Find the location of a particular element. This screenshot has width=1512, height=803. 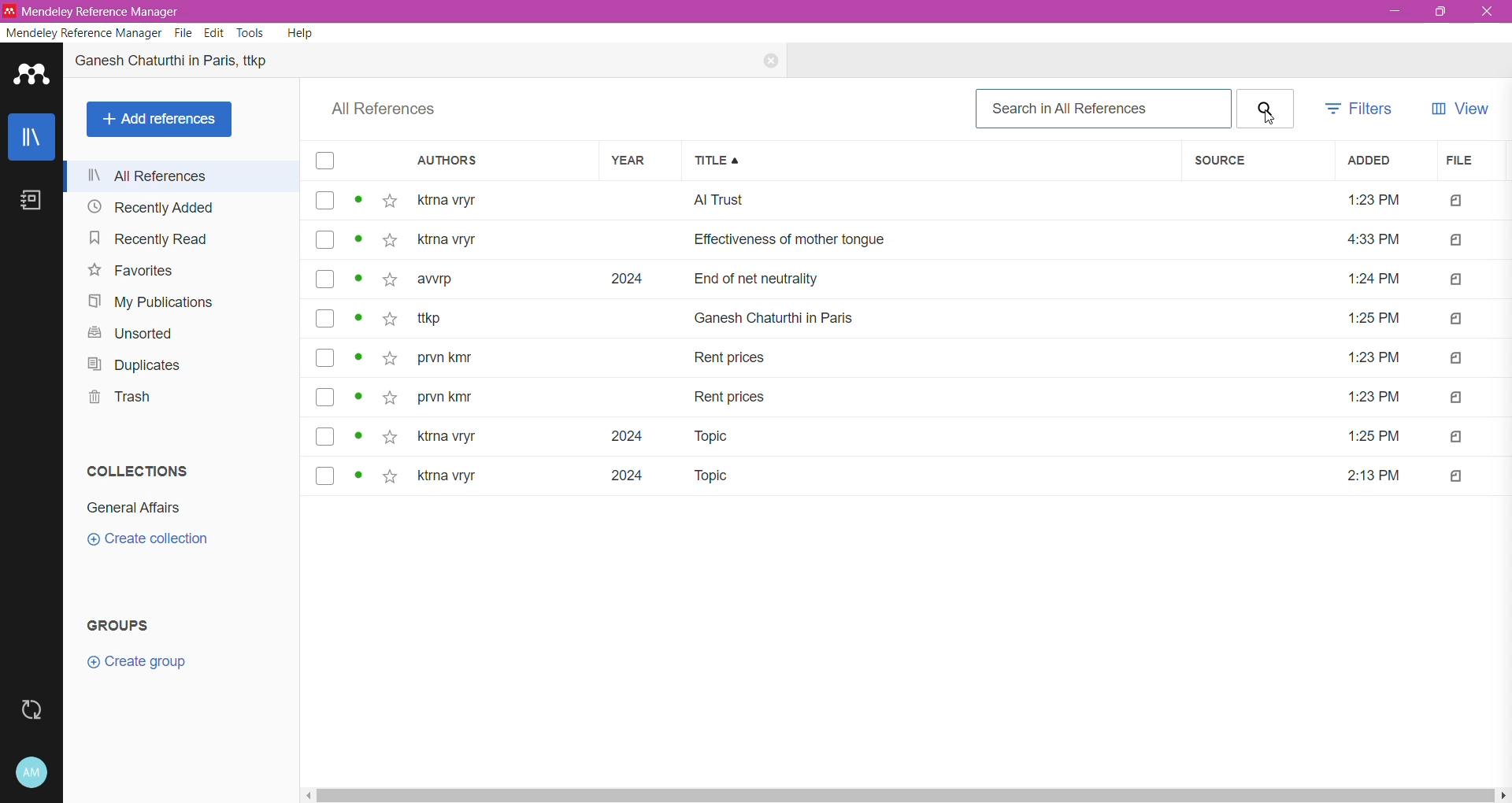

All References is located at coordinates (391, 109).